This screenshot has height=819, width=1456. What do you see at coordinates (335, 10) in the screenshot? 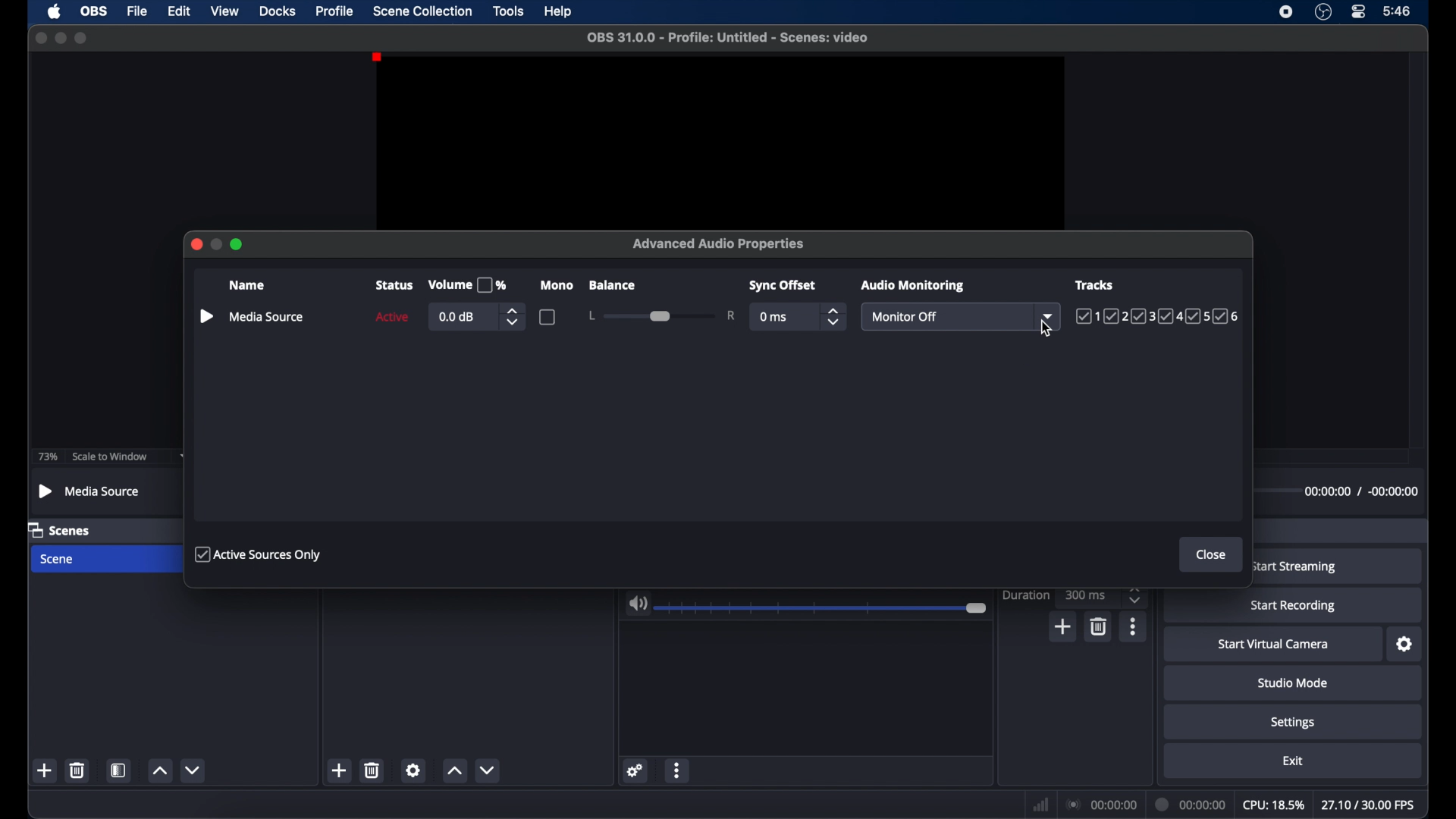
I see `profile` at bounding box center [335, 10].